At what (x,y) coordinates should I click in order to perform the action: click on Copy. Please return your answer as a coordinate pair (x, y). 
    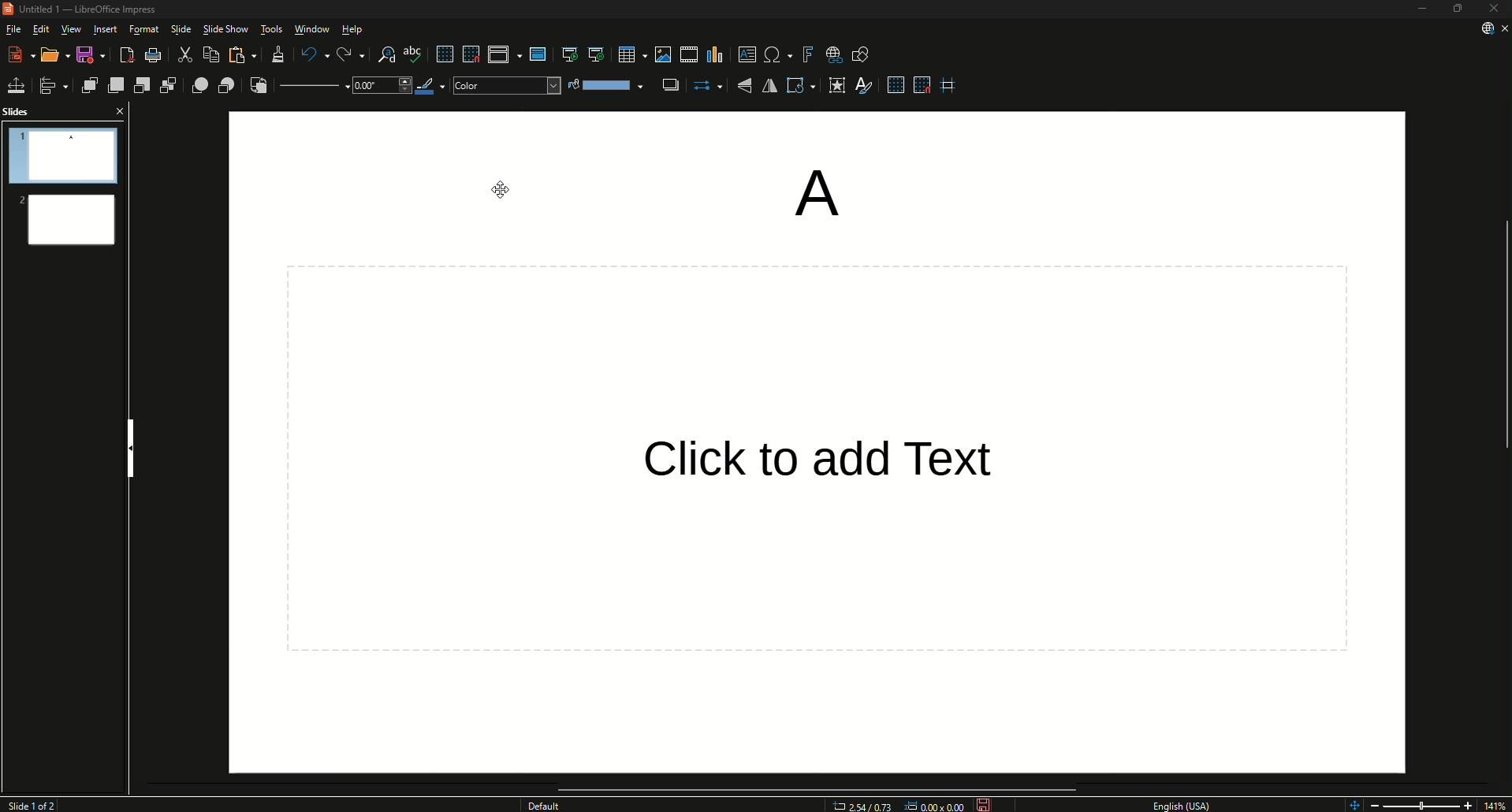
    Looking at the image, I should click on (206, 54).